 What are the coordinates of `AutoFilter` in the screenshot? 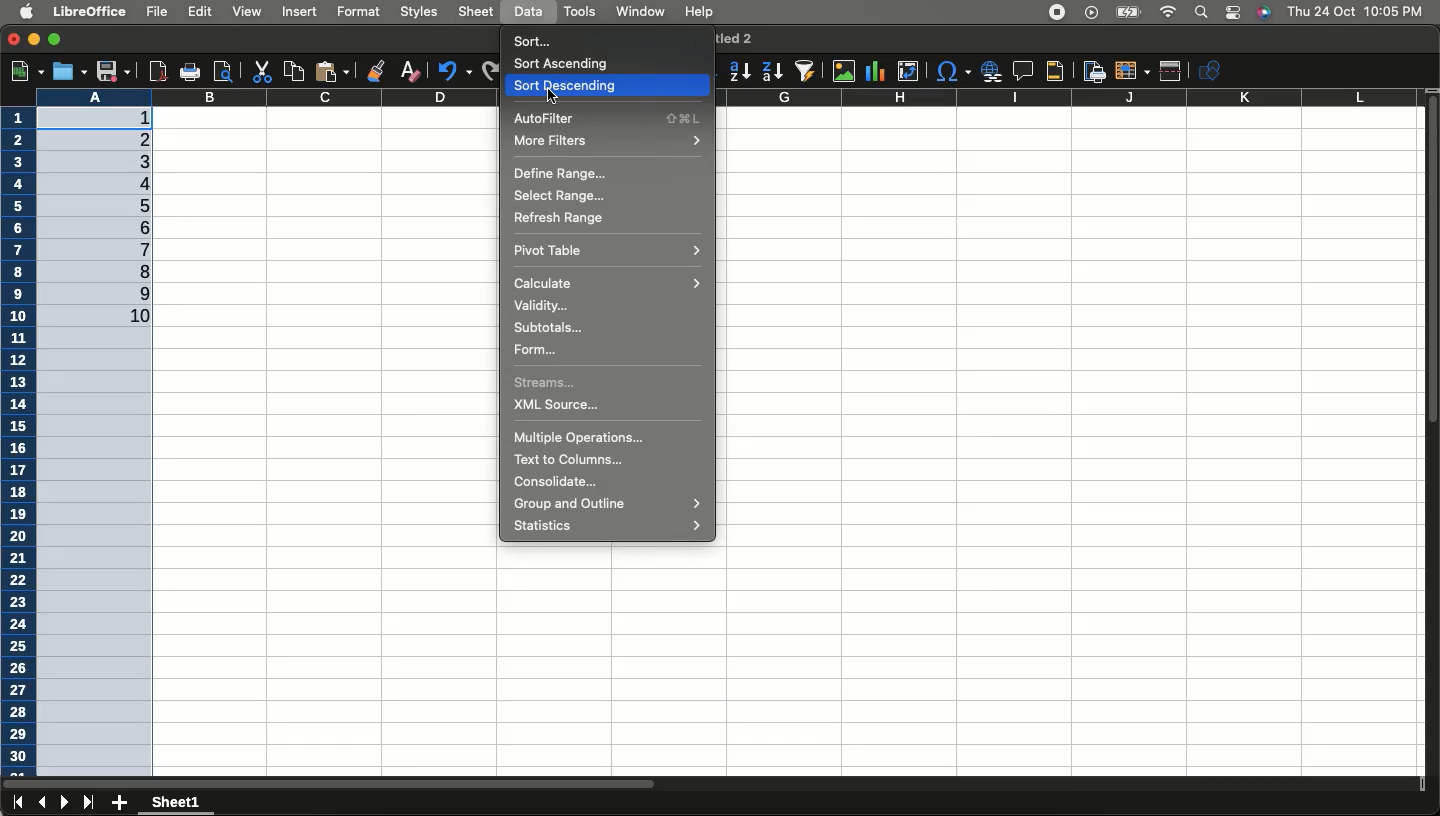 It's located at (605, 118).